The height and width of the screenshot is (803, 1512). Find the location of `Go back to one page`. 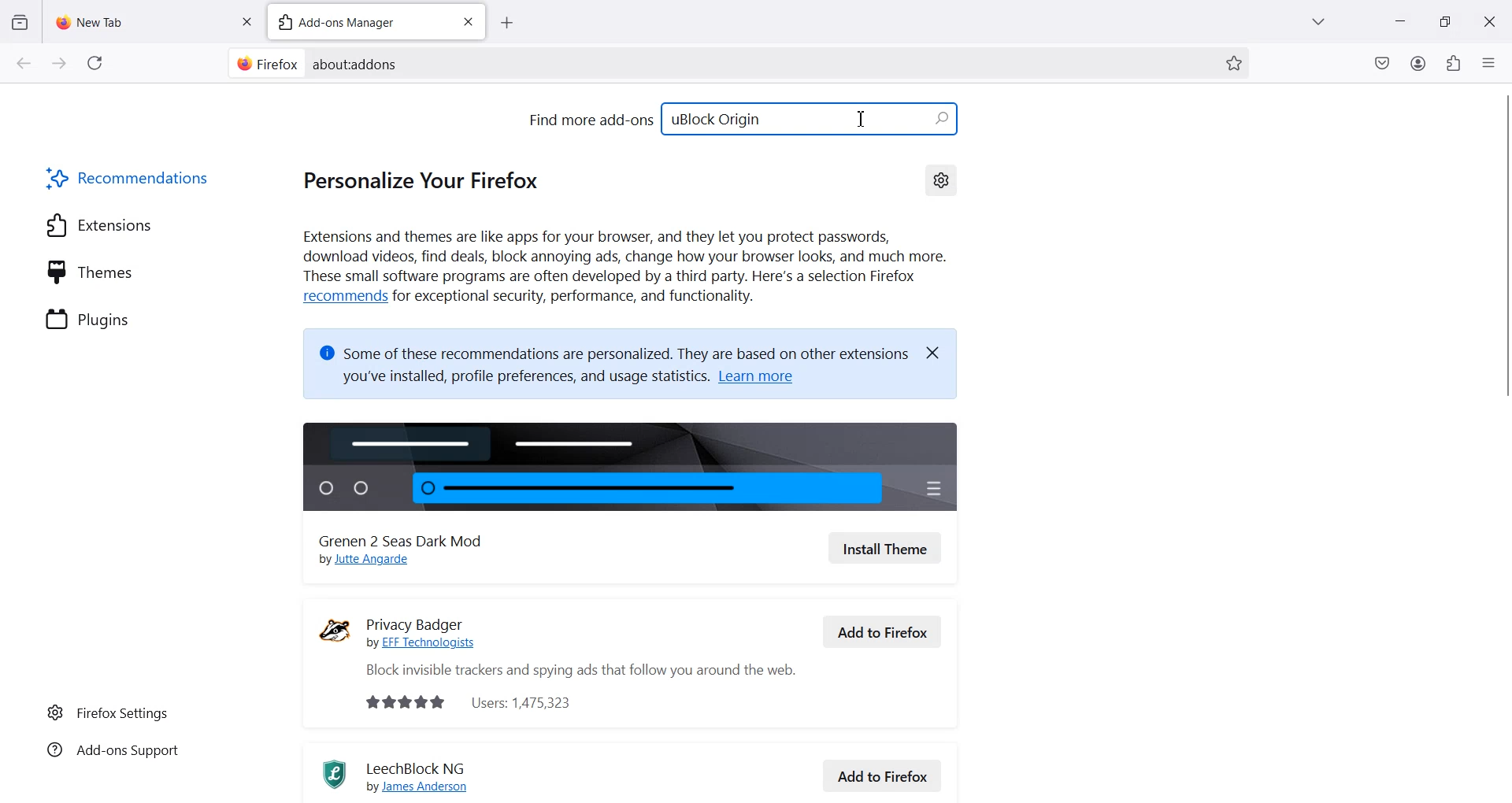

Go back to one page is located at coordinates (23, 62).